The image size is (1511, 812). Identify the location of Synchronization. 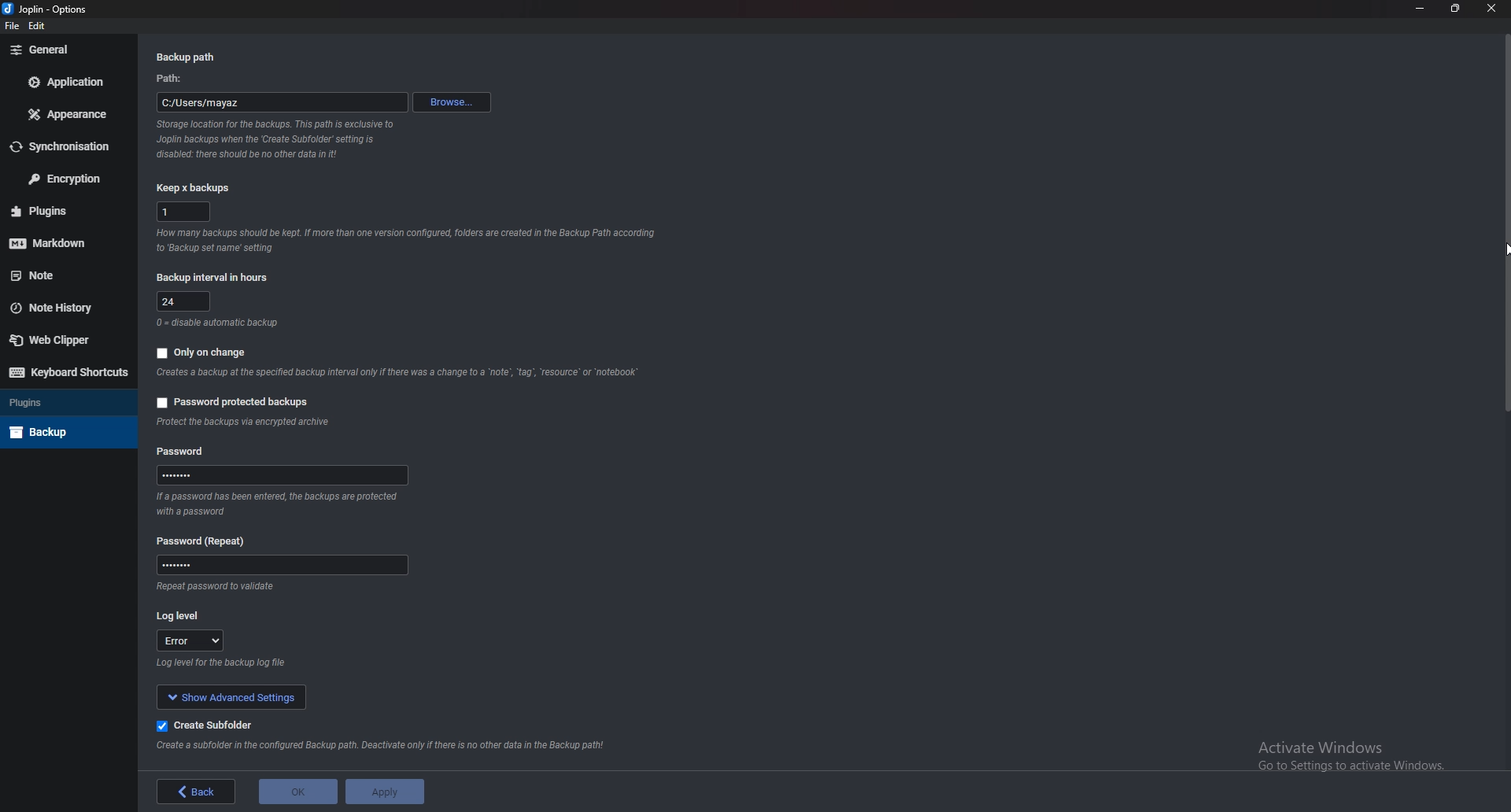
(68, 146).